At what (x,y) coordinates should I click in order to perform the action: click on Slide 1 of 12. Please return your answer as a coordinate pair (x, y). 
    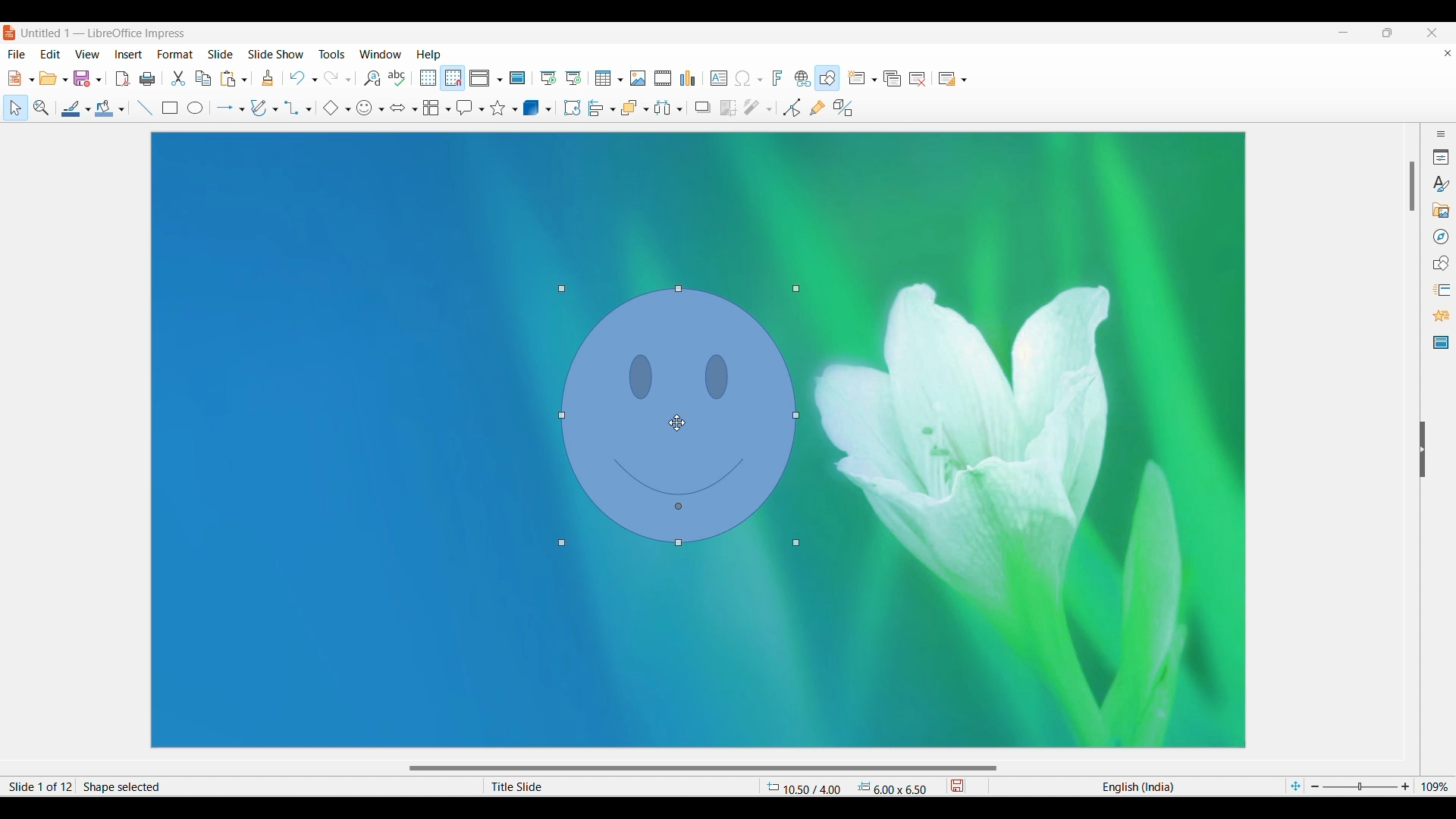
    Looking at the image, I should click on (38, 786).